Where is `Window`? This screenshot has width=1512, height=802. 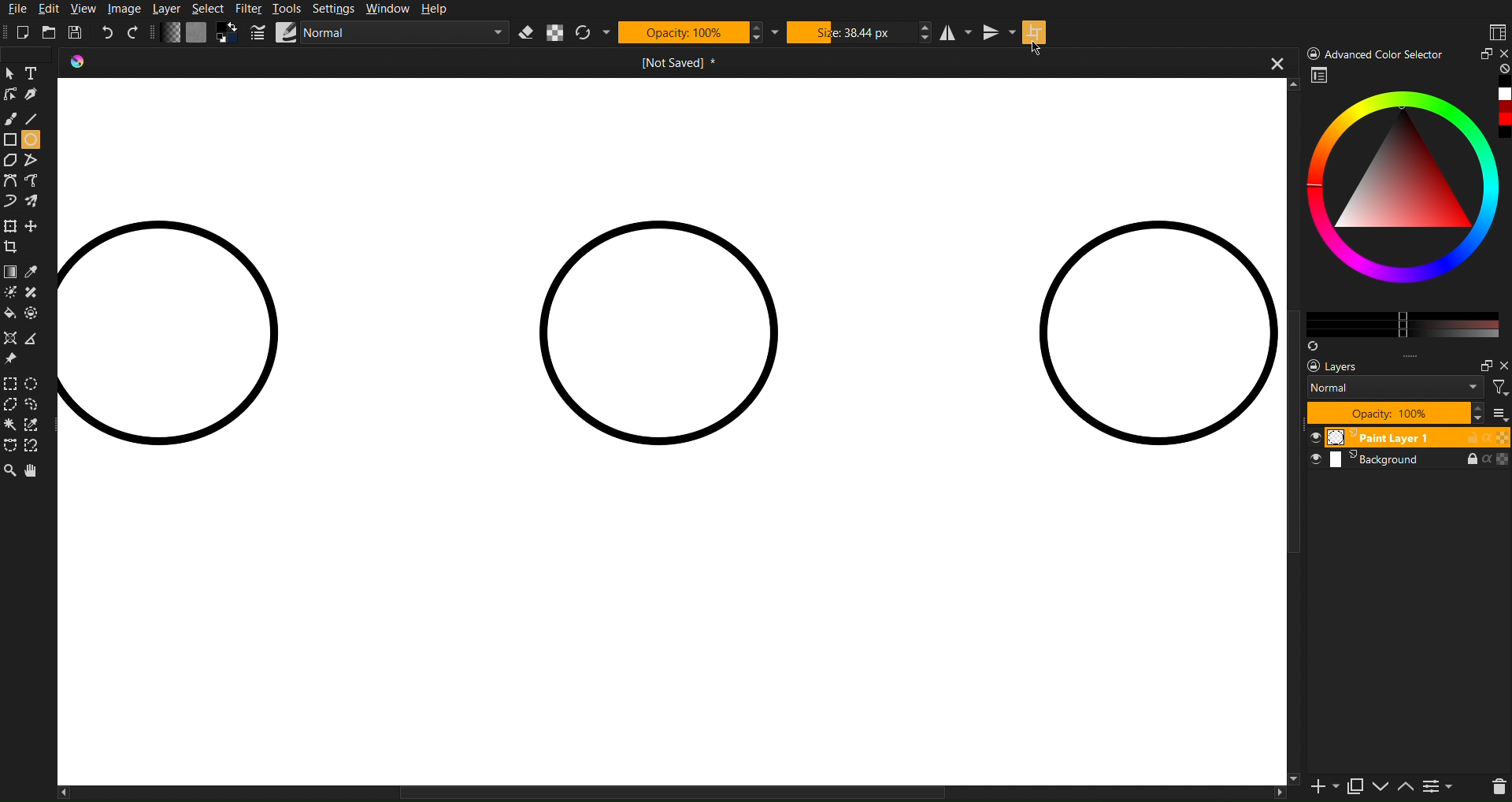
Window is located at coordinates (390, 7).